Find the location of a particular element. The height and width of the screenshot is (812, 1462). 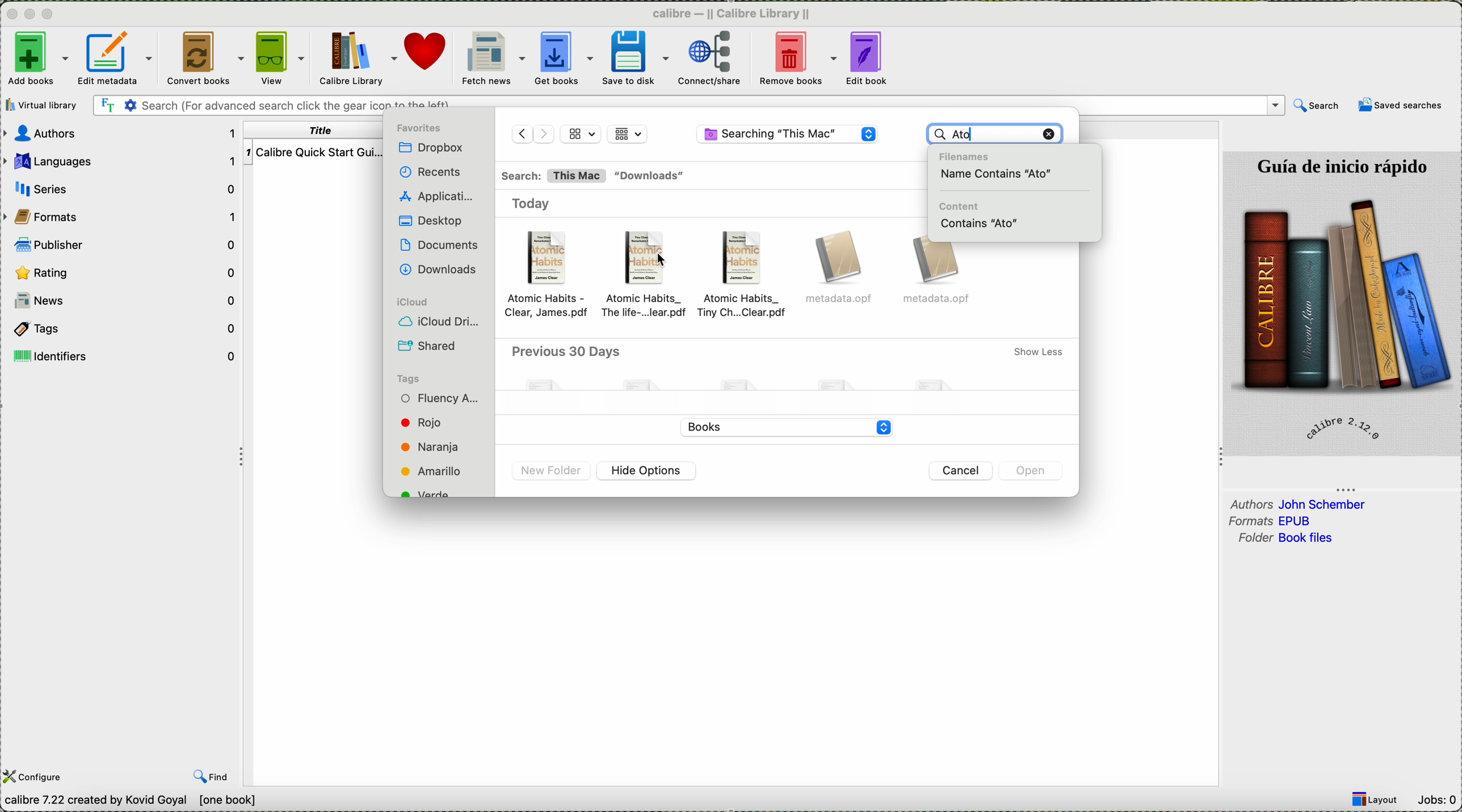

search this mac is located at coordinates (553, 176).